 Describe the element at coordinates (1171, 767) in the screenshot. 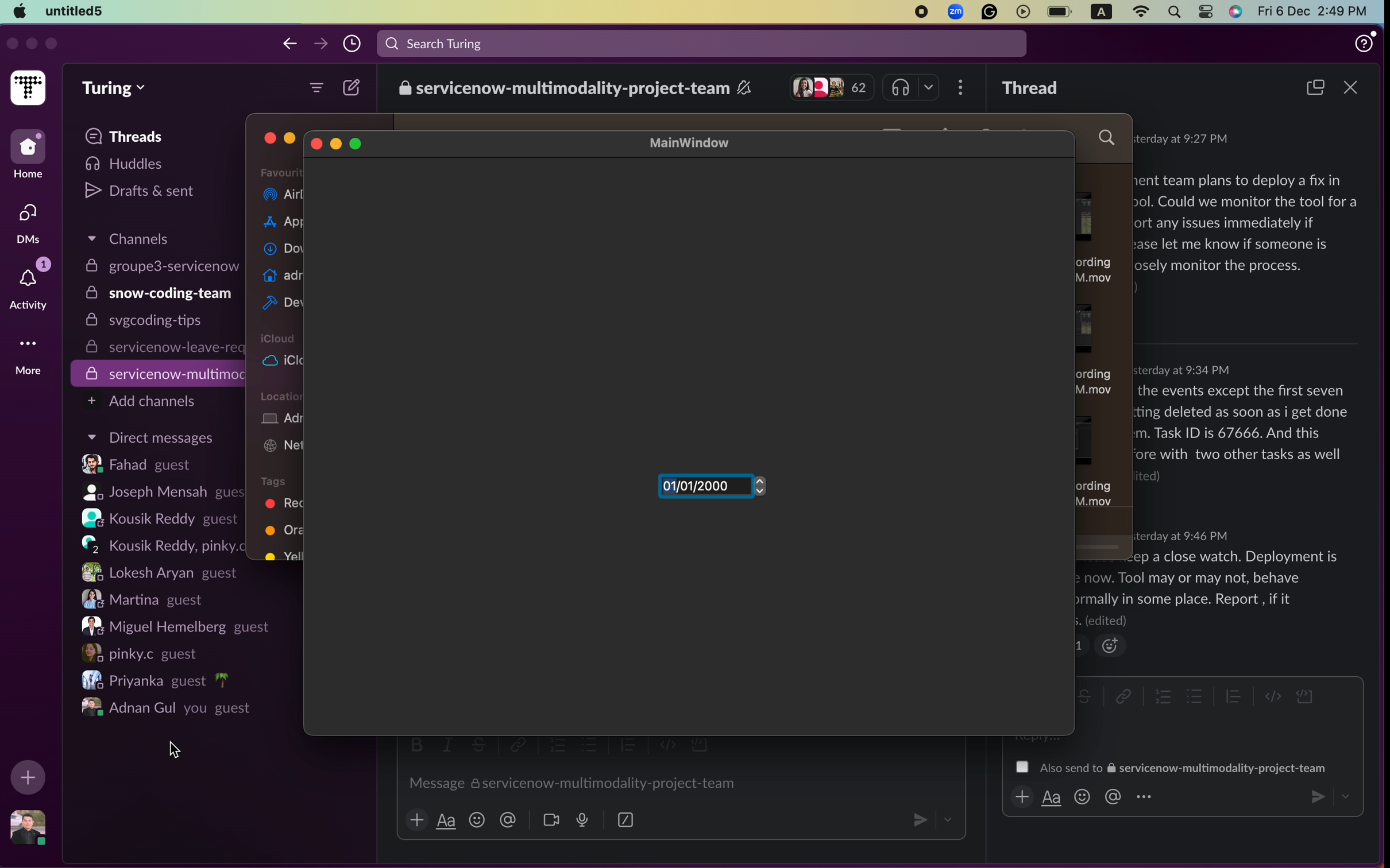

I see `message option` at that location.